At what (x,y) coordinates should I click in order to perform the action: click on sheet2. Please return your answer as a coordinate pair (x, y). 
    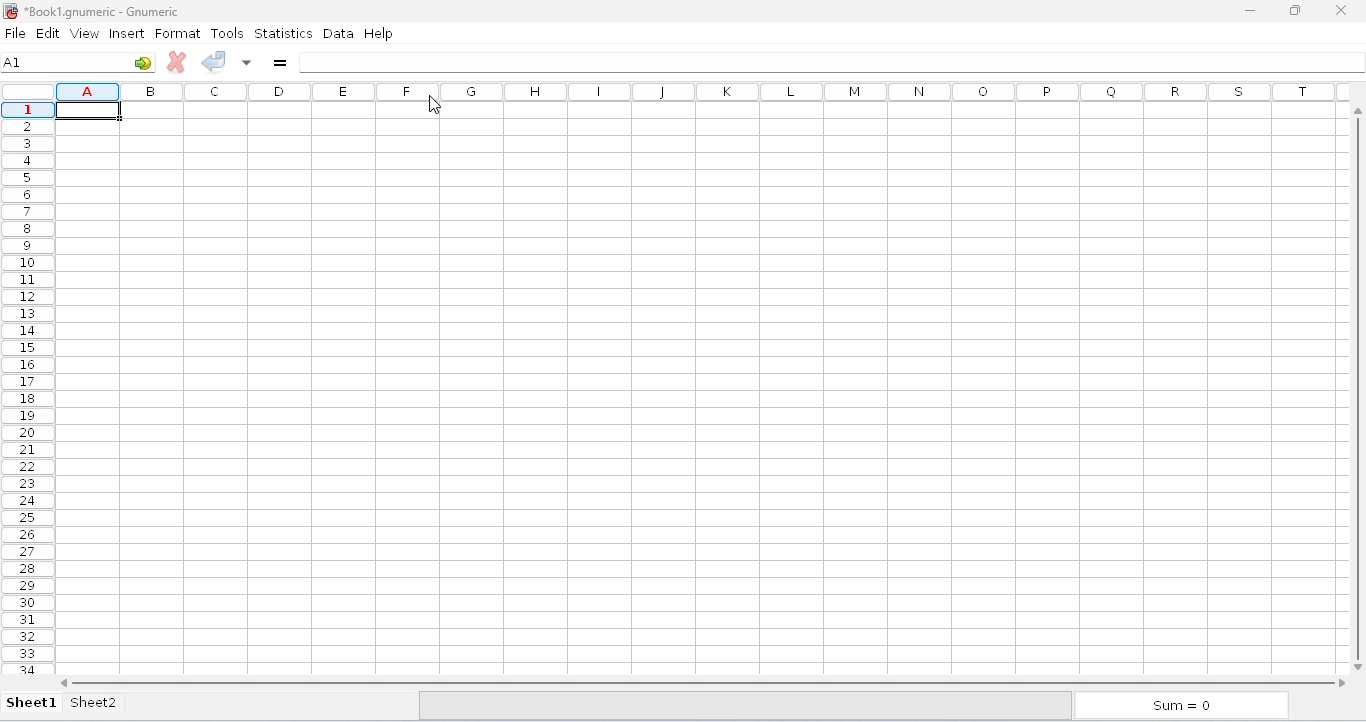
    Looking at the image, I should click on (94, 703).